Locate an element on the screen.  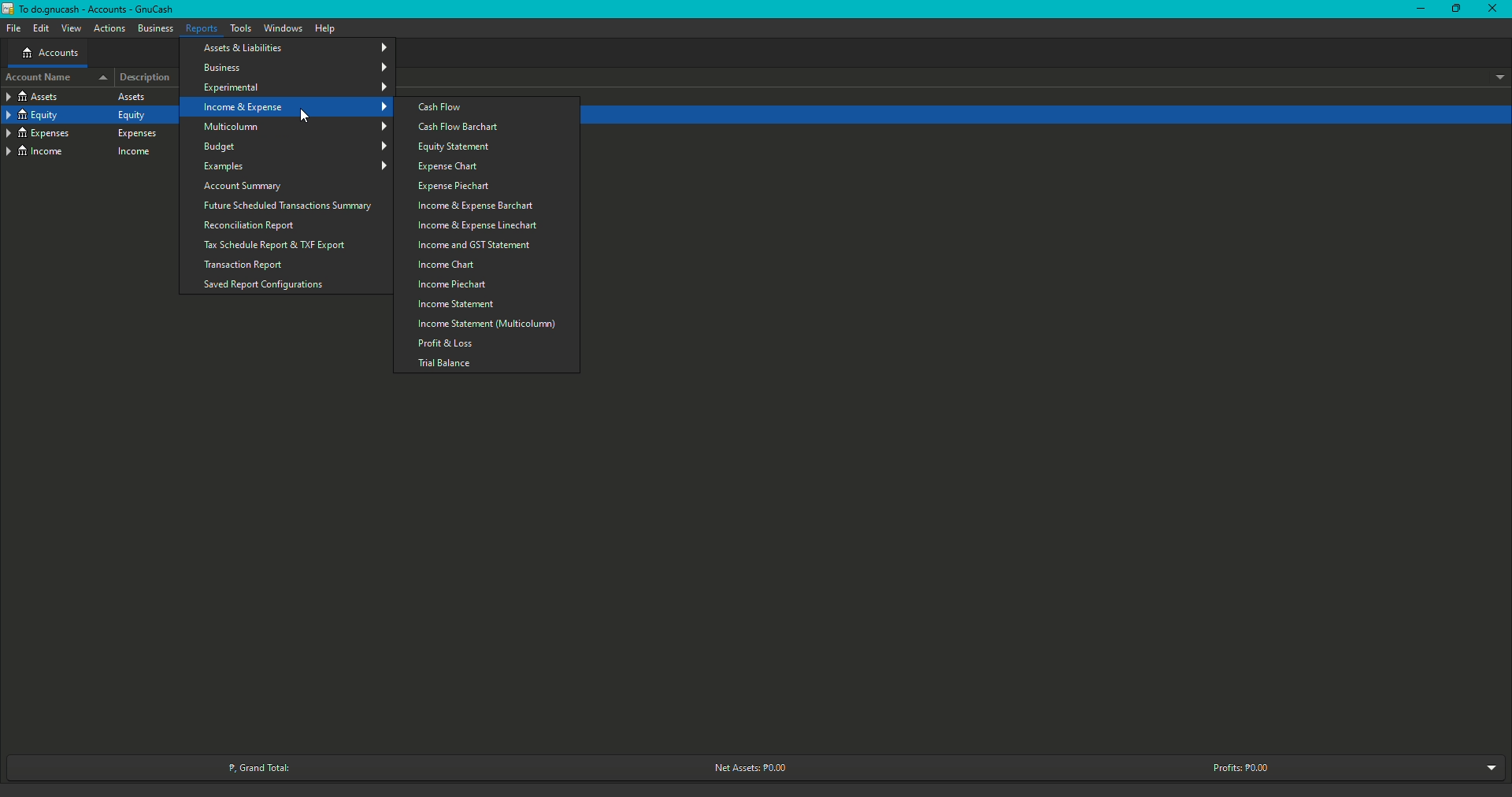
Equity Statement is located at coordinates (457, 147).